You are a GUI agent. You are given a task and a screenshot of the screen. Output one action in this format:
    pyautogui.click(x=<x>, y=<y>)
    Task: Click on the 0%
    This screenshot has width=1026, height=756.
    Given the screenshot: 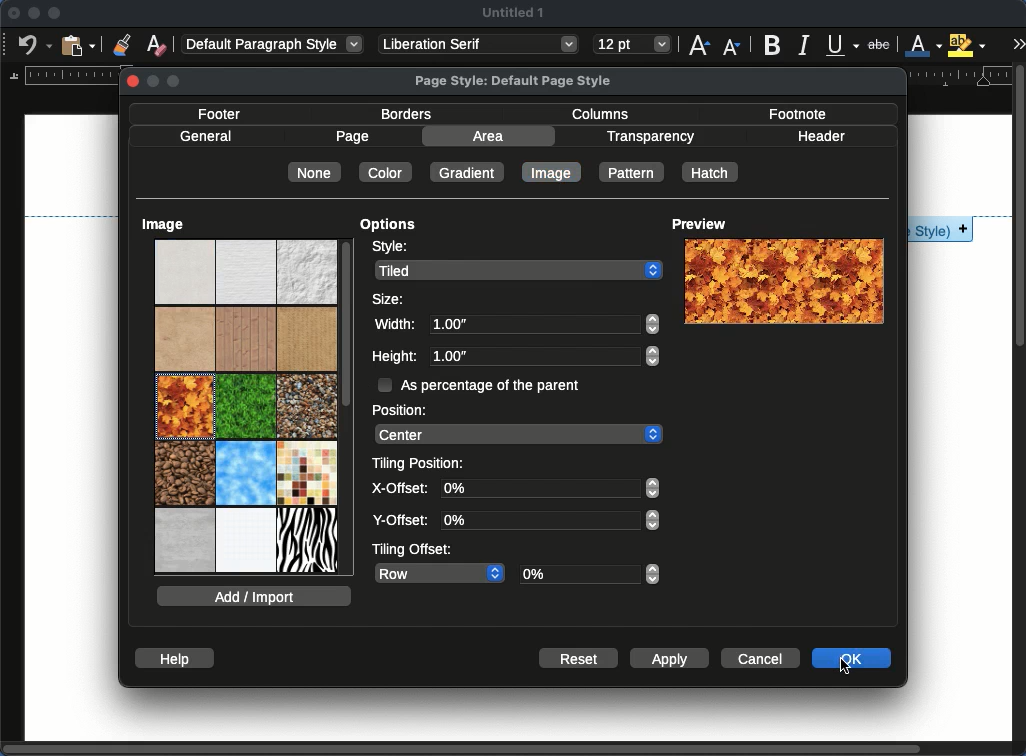 What is the action you would take?
    pyautogui.click(x=550, y=488)
    